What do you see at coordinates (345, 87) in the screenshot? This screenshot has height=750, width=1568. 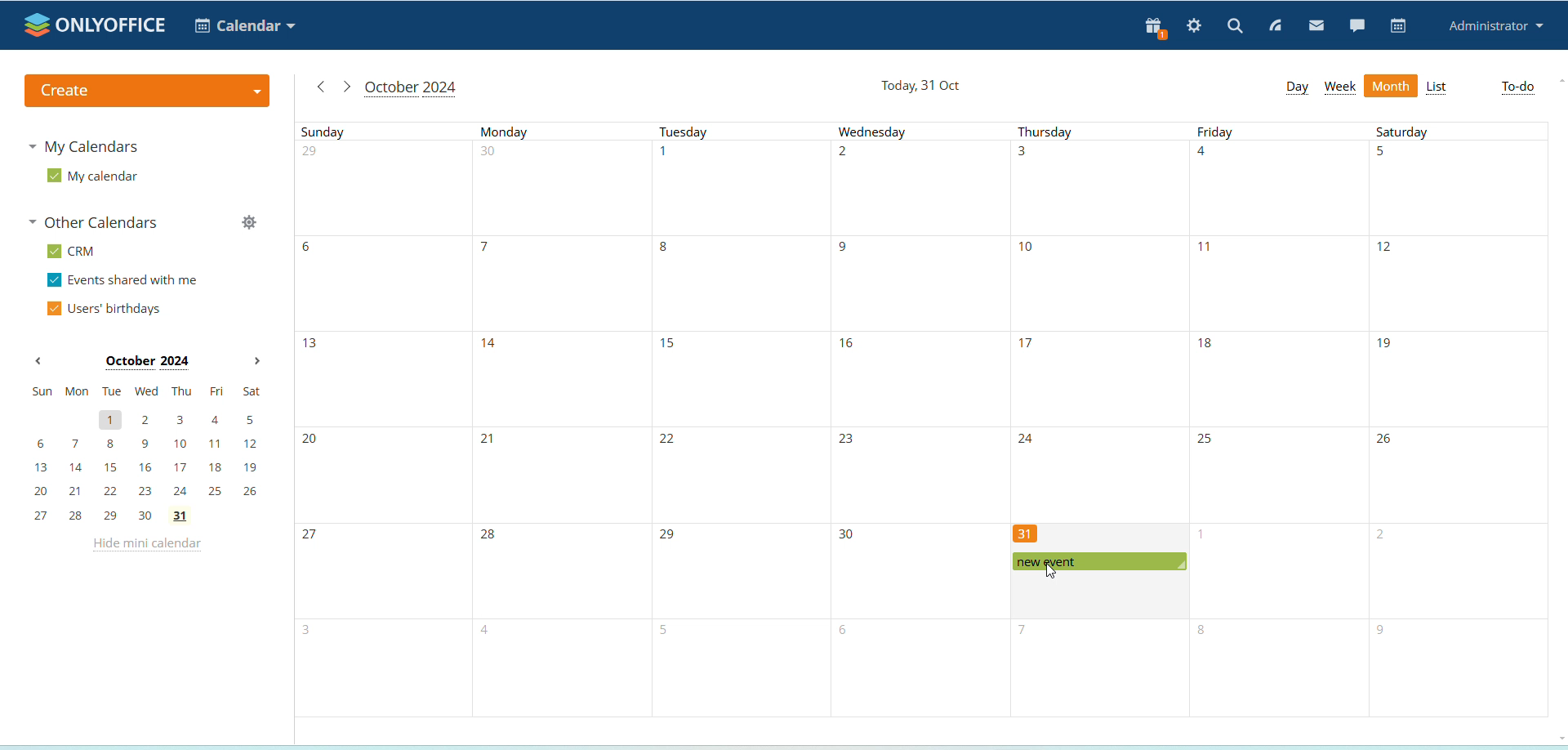 I see `go to next month` at bounding box center [345, 87].